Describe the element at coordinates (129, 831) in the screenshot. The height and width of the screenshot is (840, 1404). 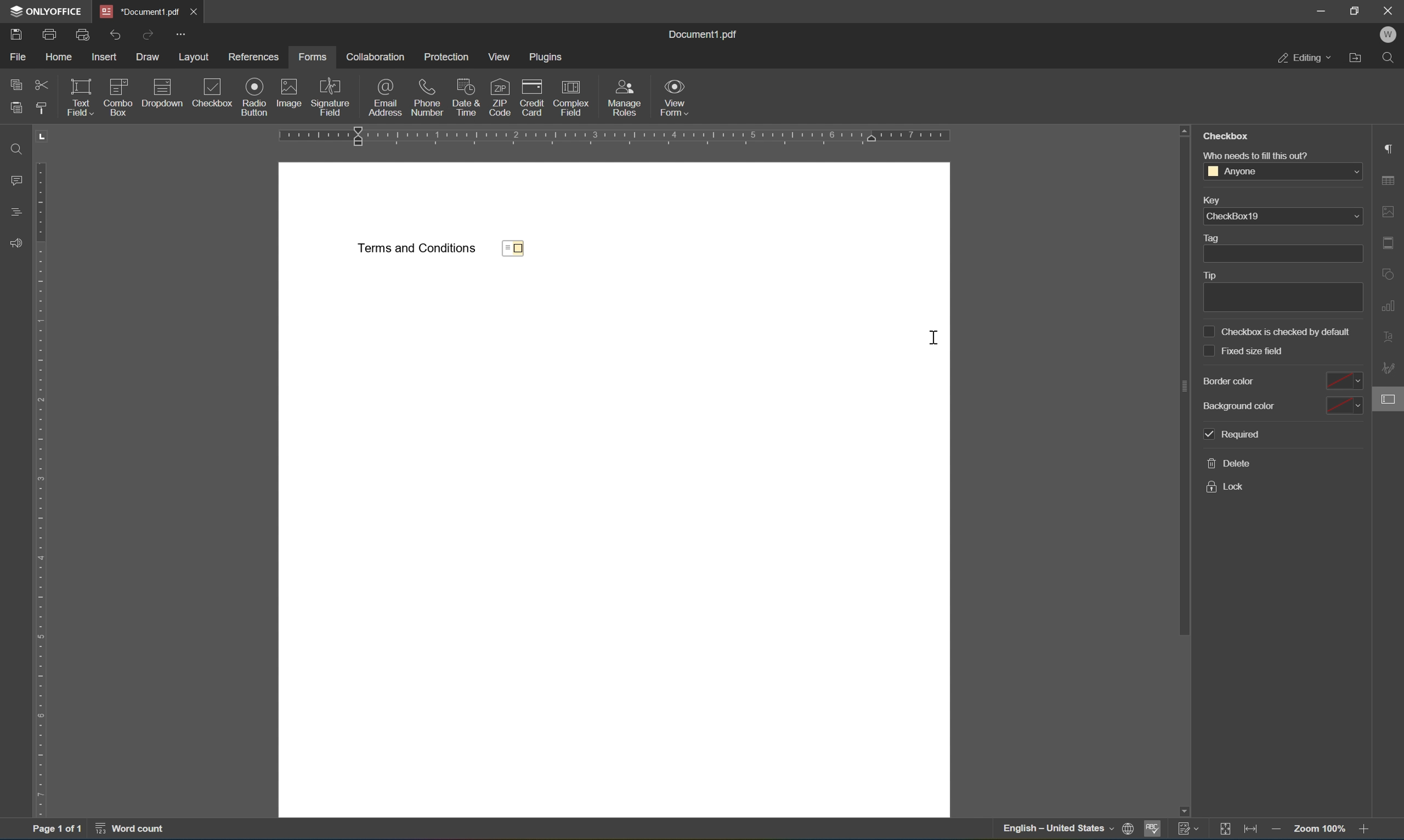
I see `word count` at that location.